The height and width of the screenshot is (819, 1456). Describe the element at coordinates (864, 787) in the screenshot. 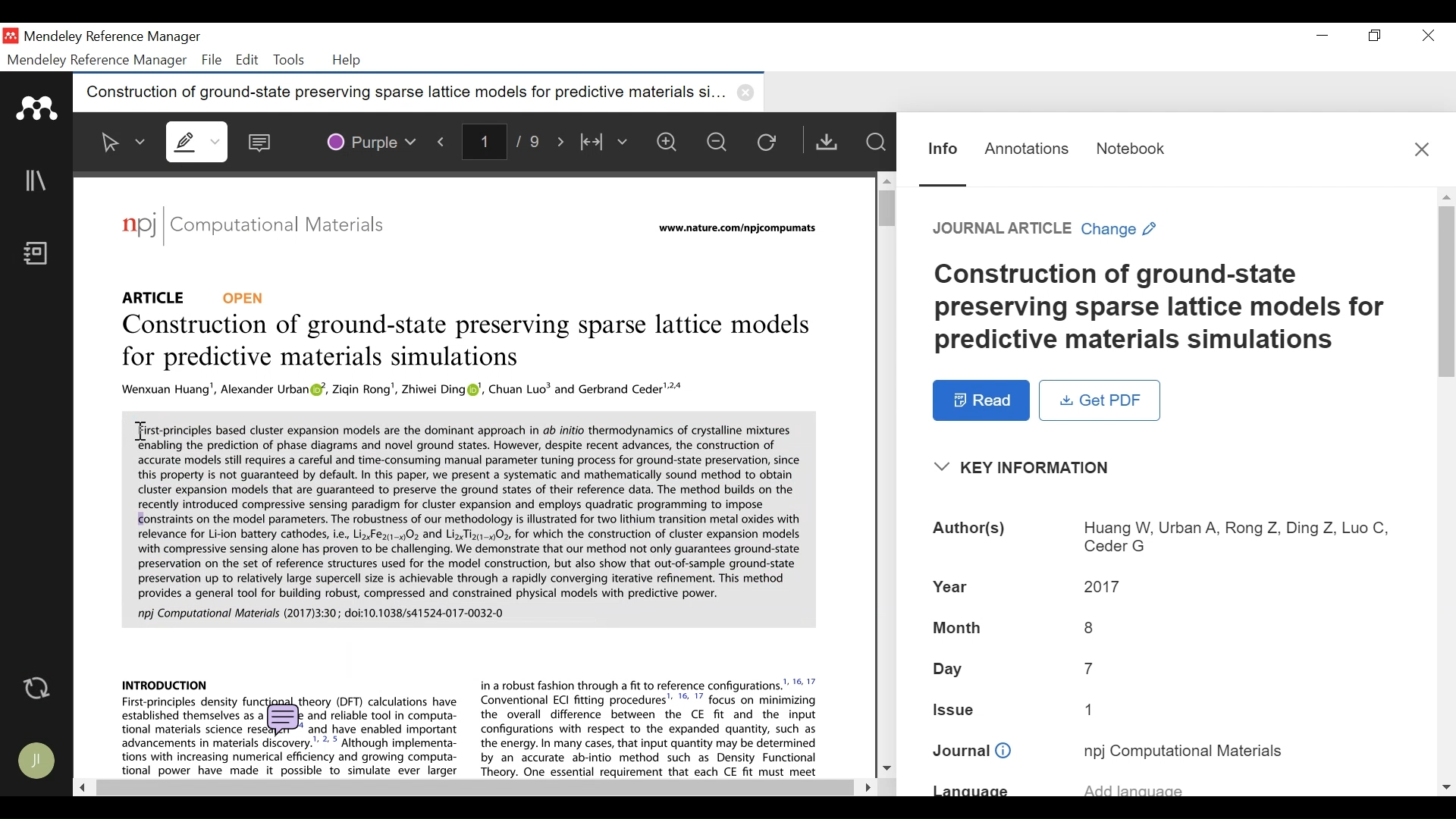

I see `Scroll Right` at that location.